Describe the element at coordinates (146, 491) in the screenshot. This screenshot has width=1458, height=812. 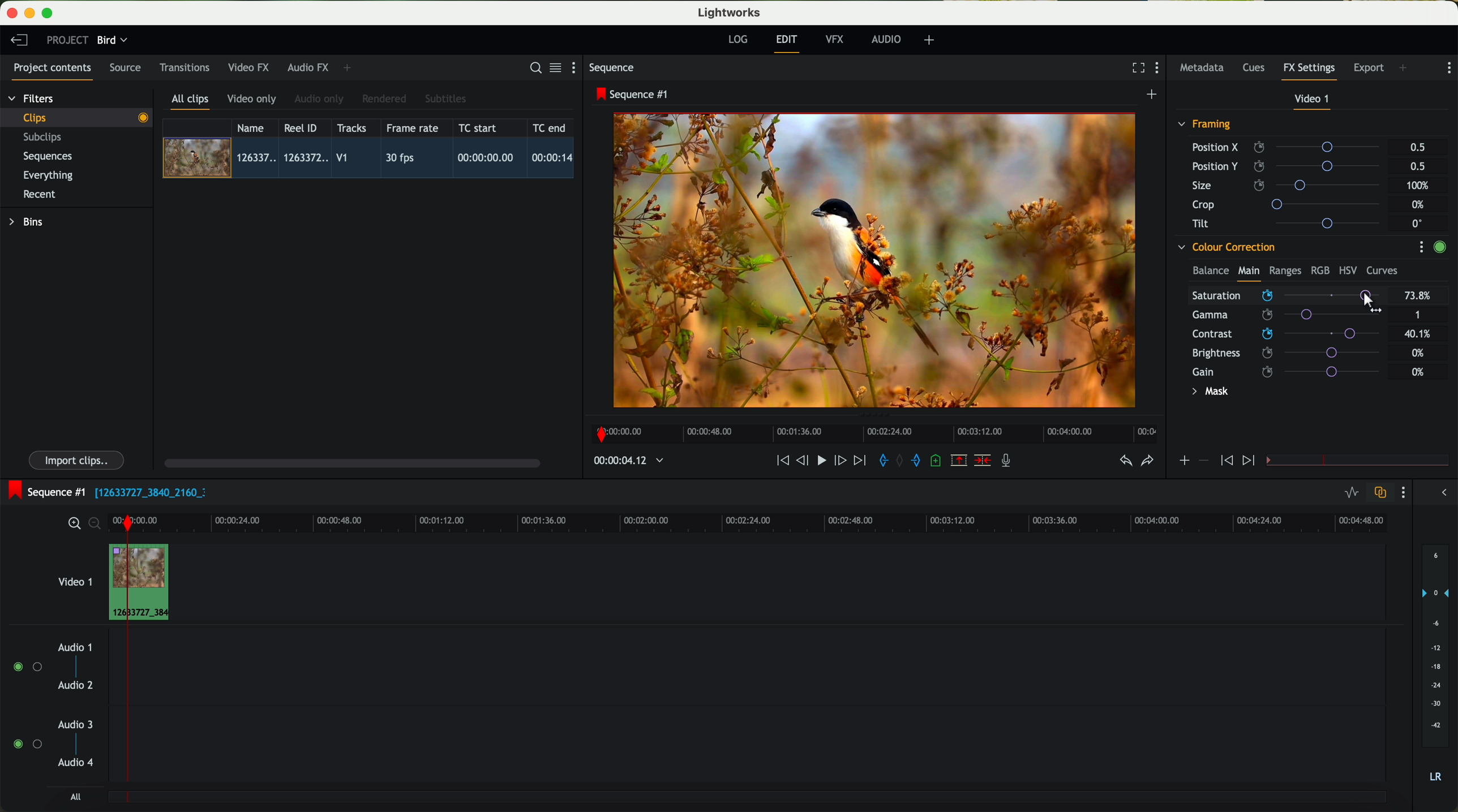
I see `black` at that location.